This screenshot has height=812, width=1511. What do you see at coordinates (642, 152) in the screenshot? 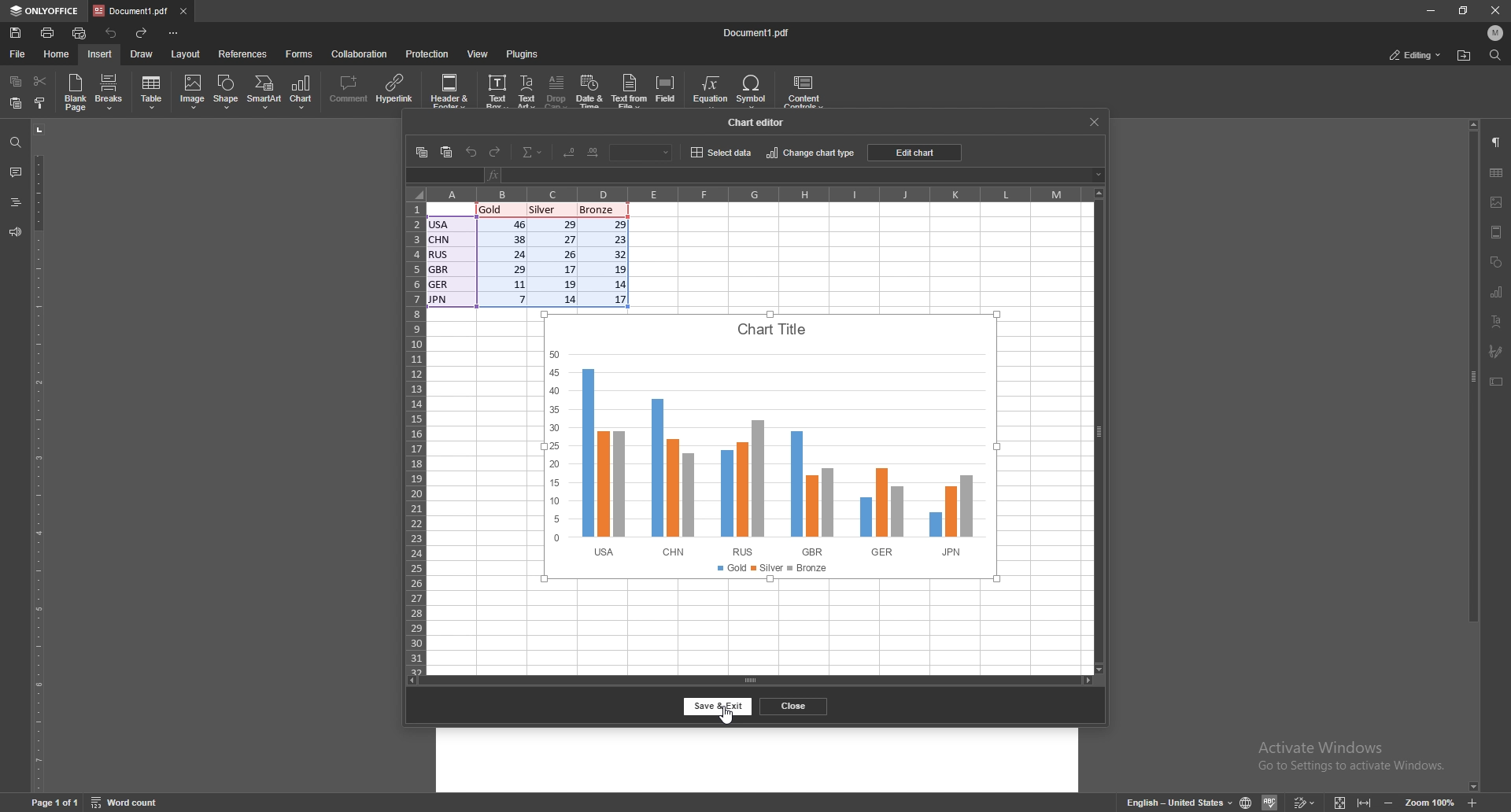
I see `number format` at bounding box center [642, 152].